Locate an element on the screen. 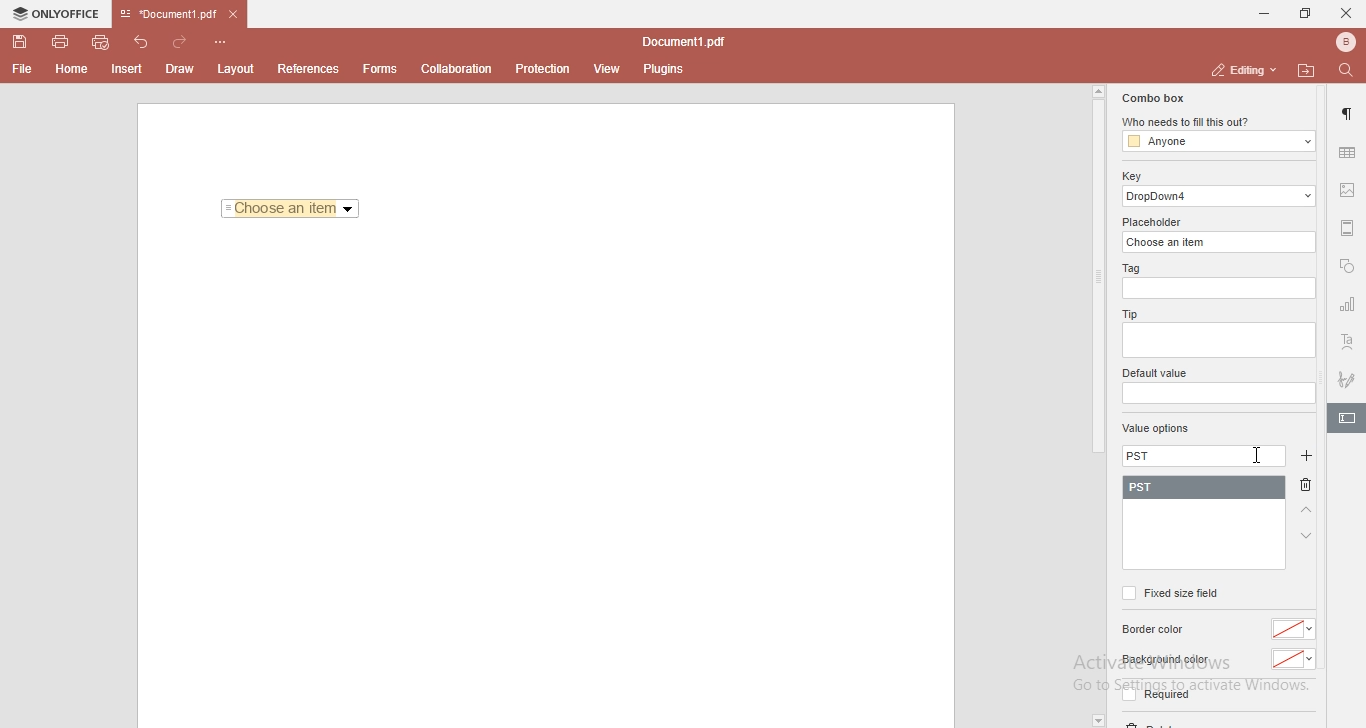 The image size is (1366, 728). empty box is located at coordinates (1217, 342).